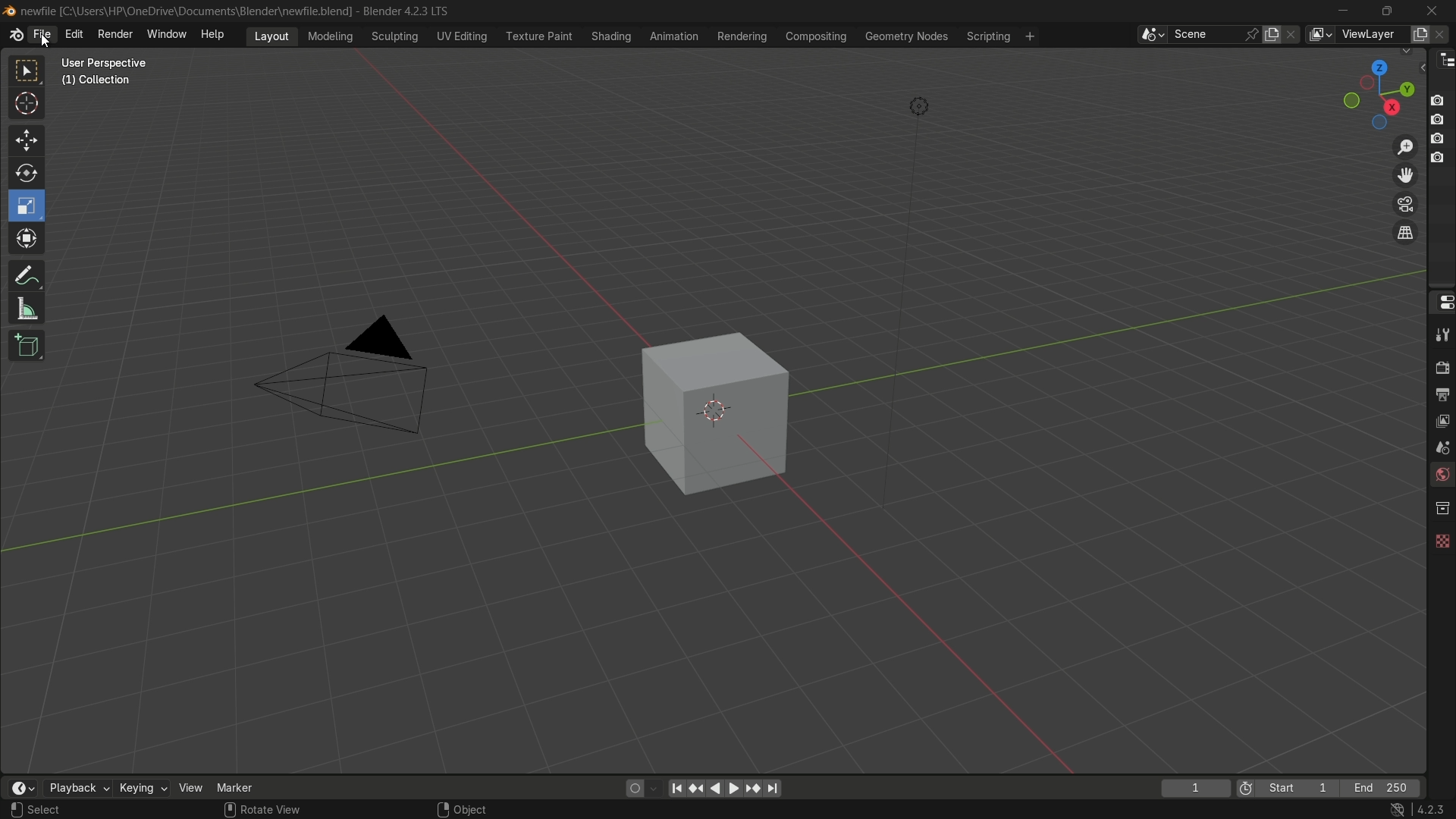 This screenshot has height=819, width=1456. Describe the element at coordinates (63, 810) in the screenshot. I see `Select` at that location.